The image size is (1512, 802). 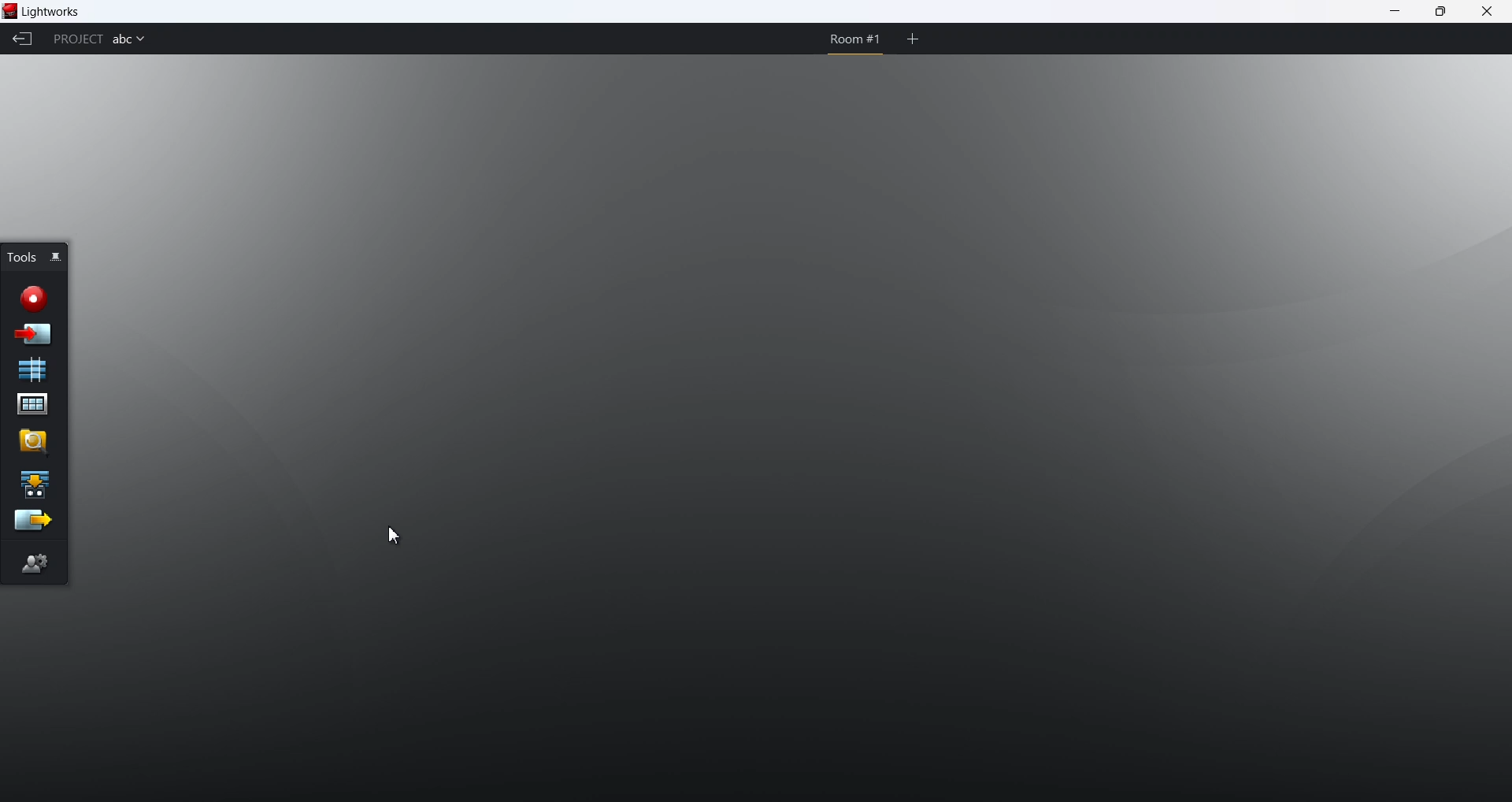 What do you see at coordinates (35, 333) in the screenshot?
I see `import` at bounding box center [35, 333].